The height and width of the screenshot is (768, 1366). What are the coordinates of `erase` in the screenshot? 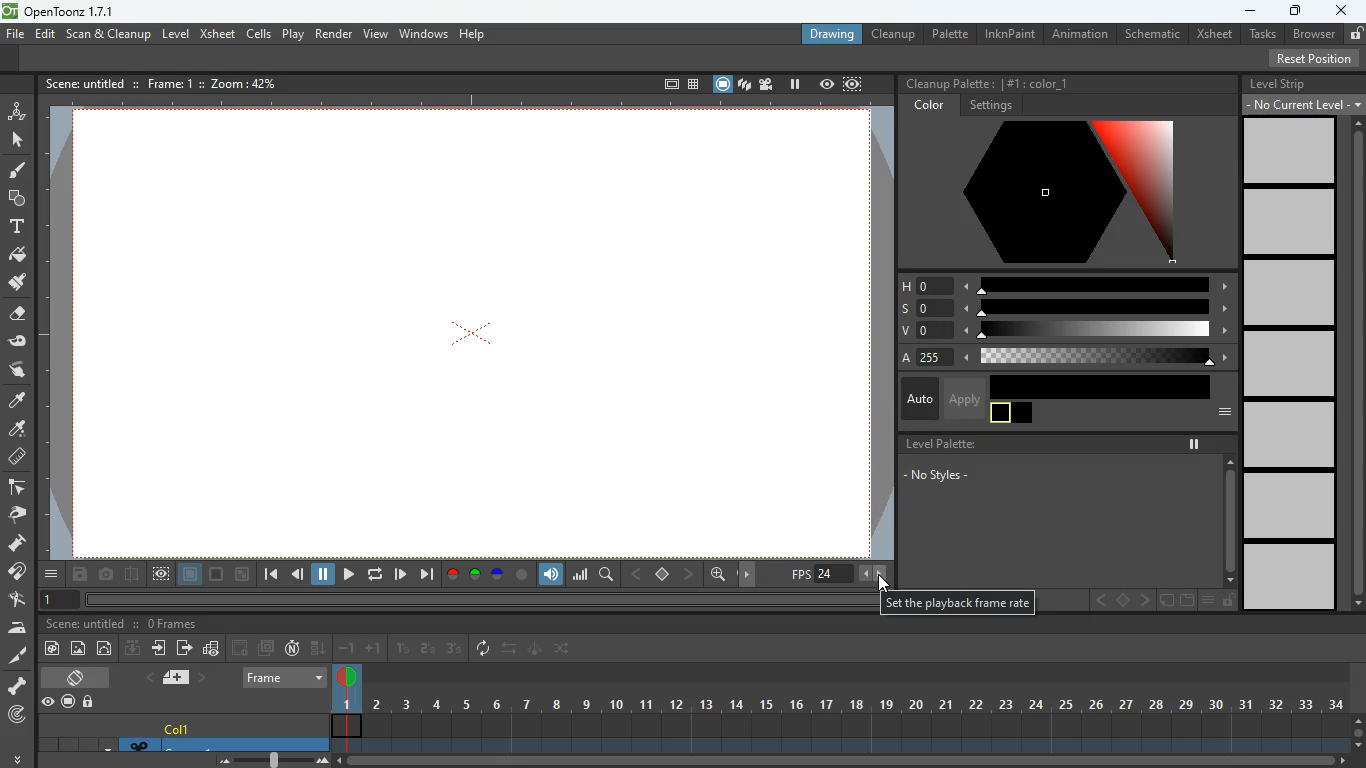 It's located at (19, 314).